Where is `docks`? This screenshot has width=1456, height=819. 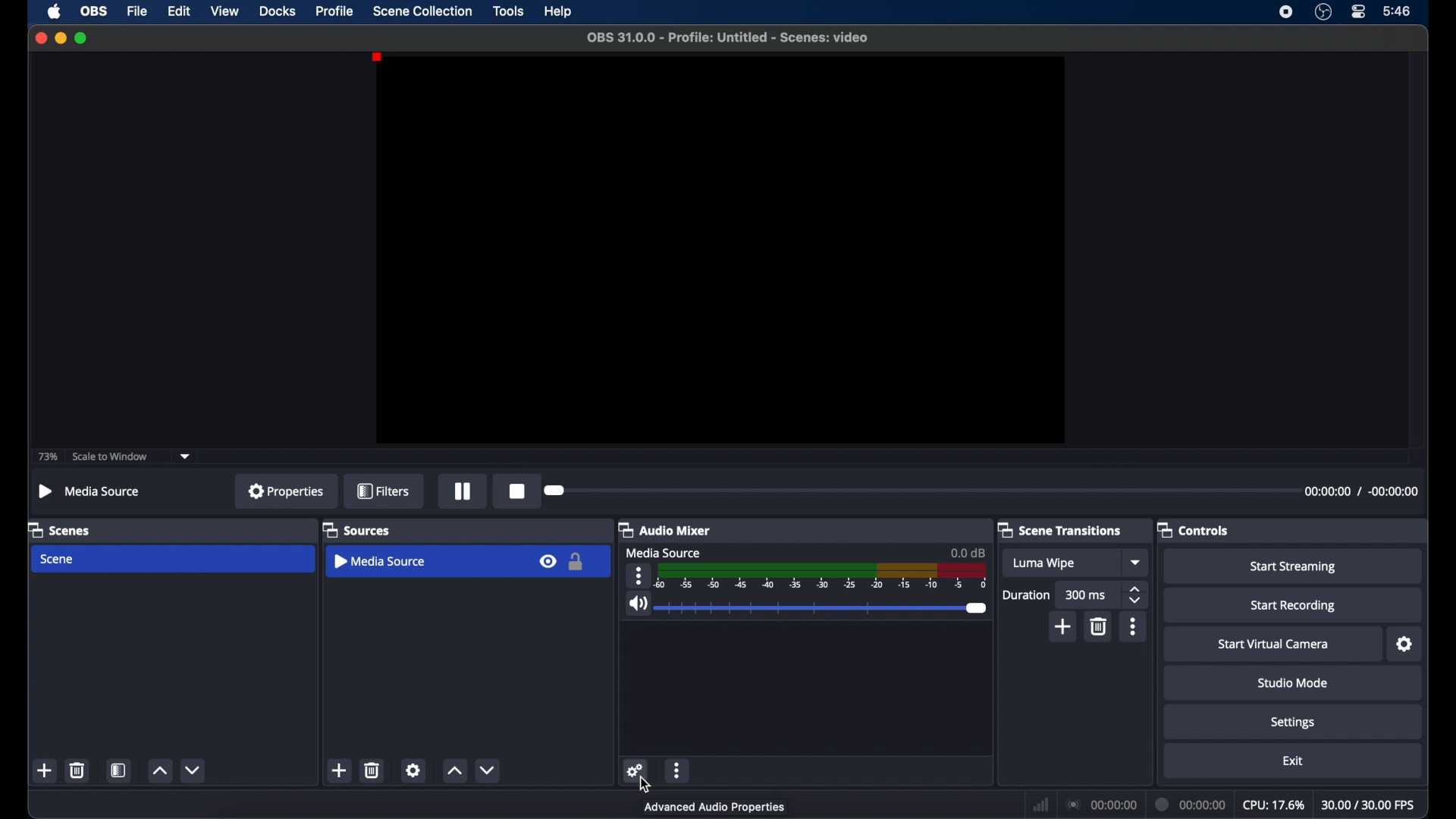 docks is located at coordinates (278, 11).